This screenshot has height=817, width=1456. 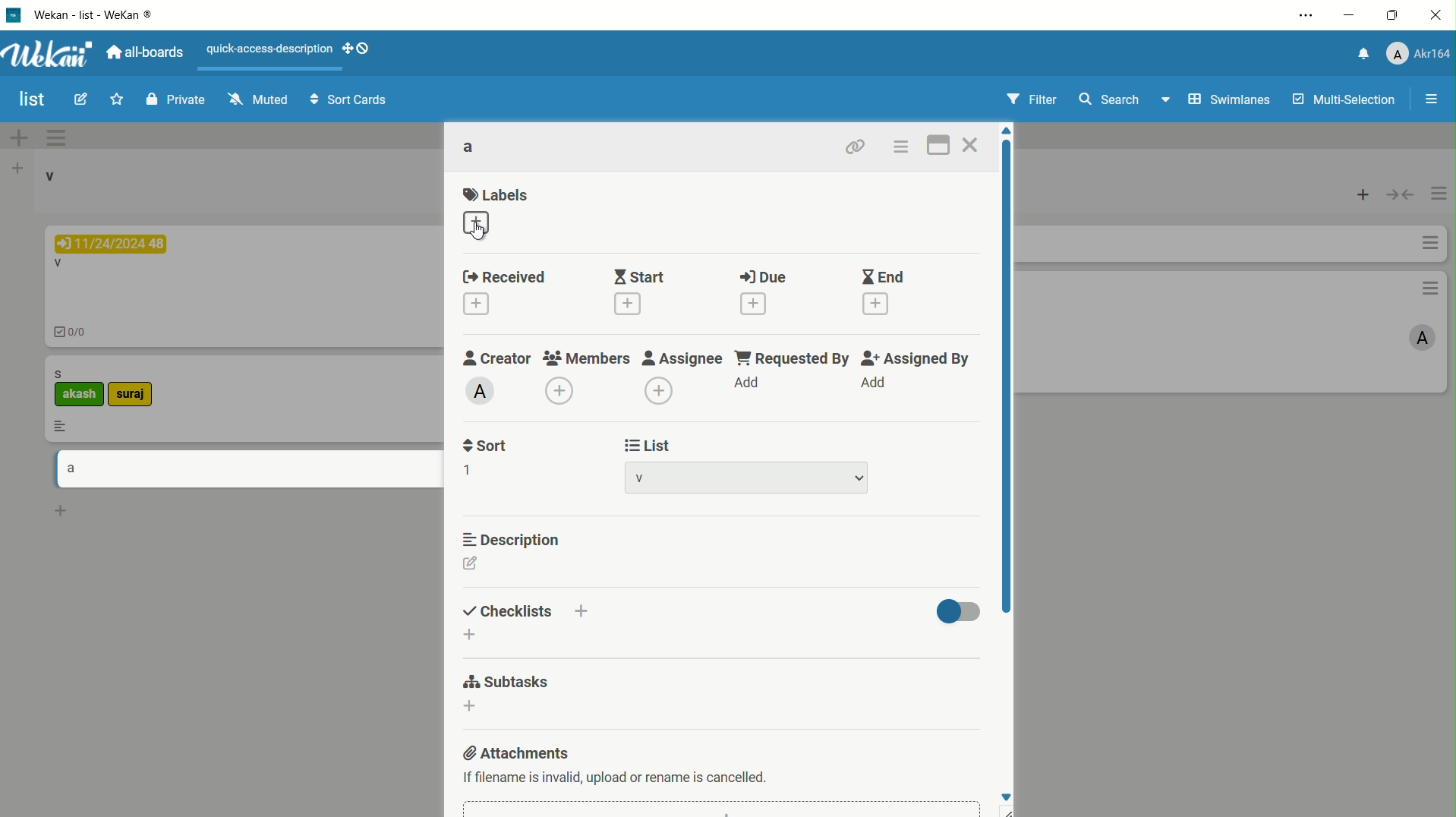 What do you see at coordinates (496, 195) in the screenshot?
I see `labels` at bounding box center [496, 195].